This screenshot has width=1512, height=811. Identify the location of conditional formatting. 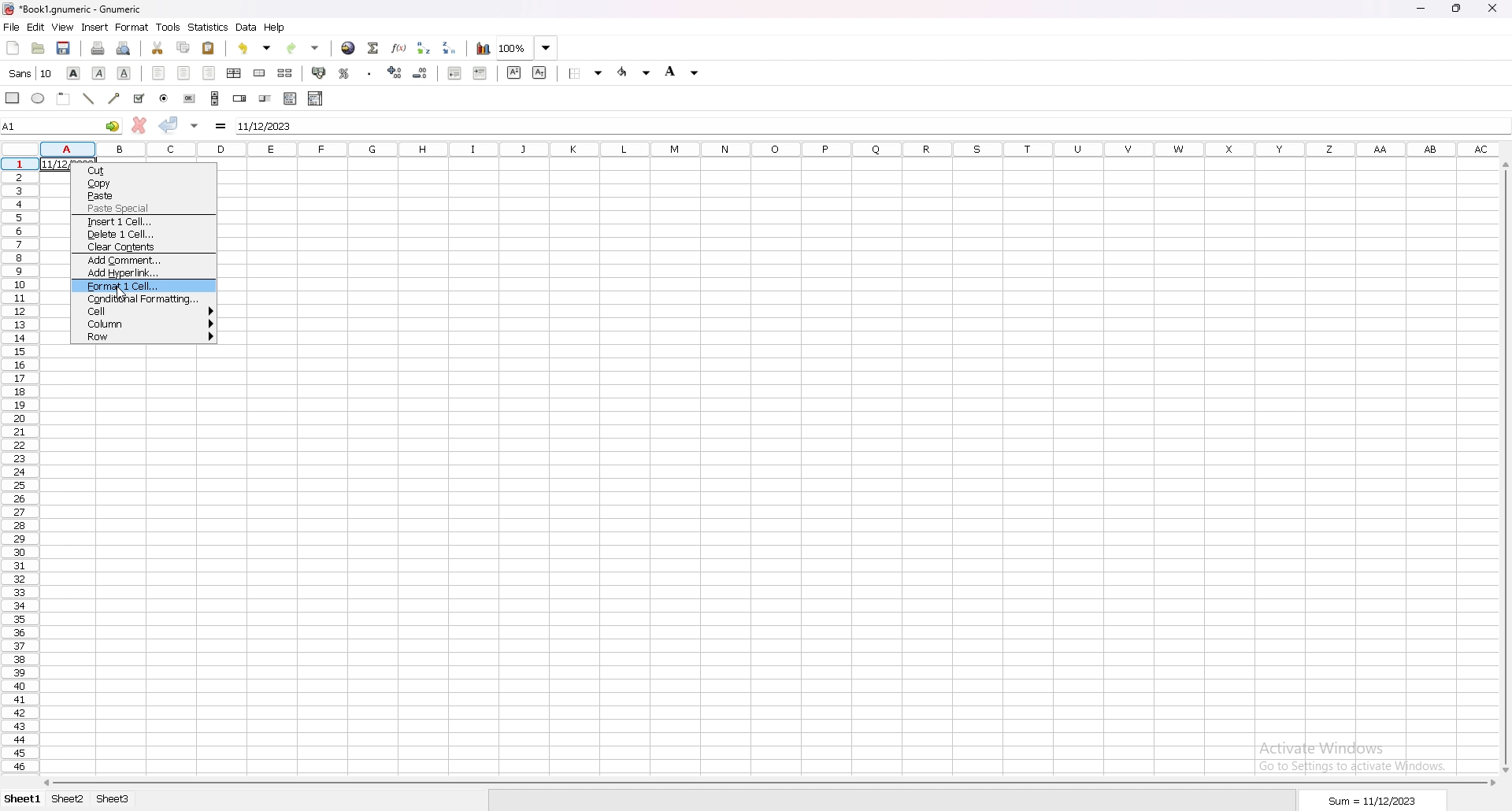
(143, 298).